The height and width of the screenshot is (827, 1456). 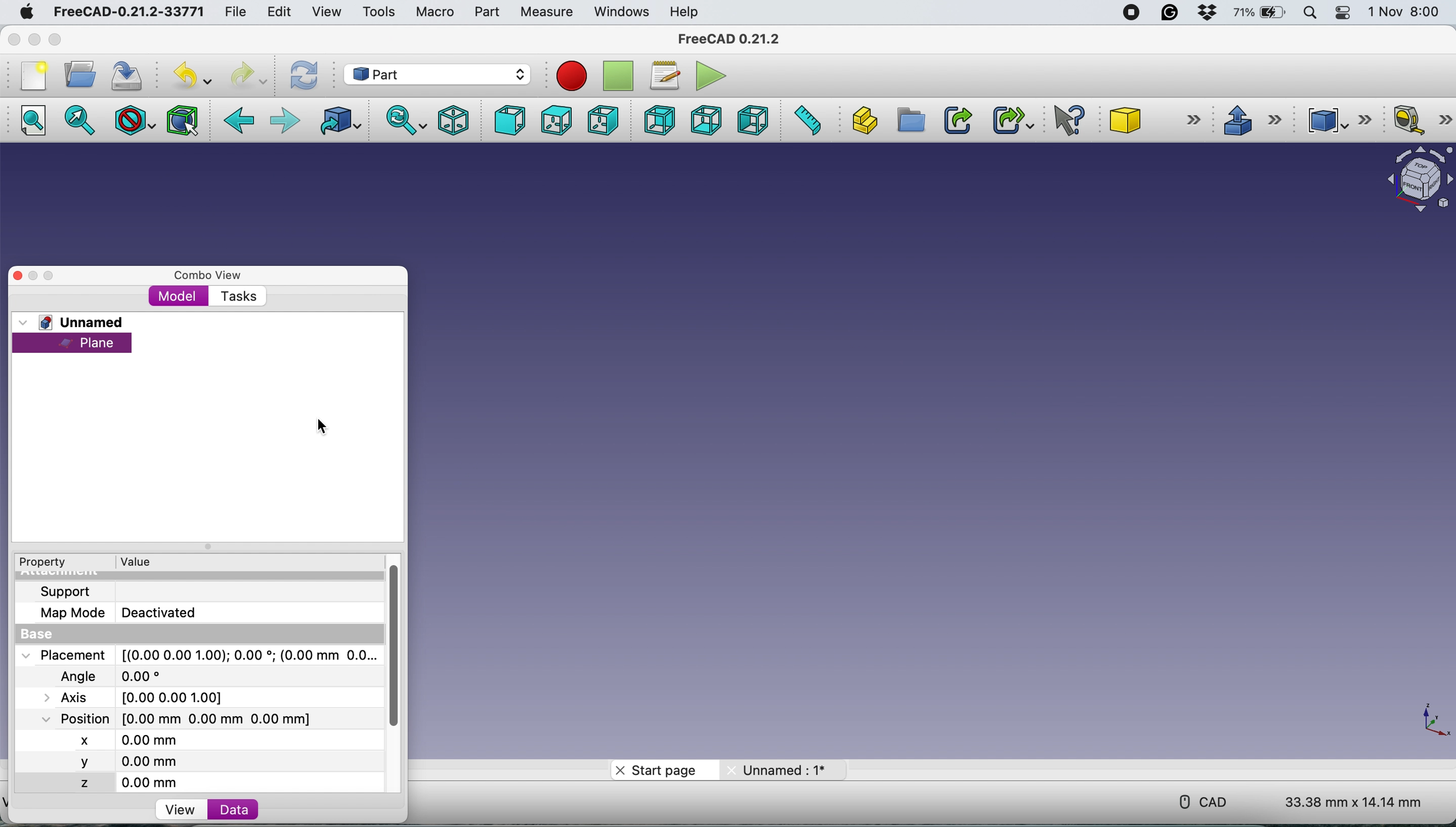 What do you see at coordinates (618, 76) in the screenshot?
I see `stop recording macros` at bounding box center [618, 76].